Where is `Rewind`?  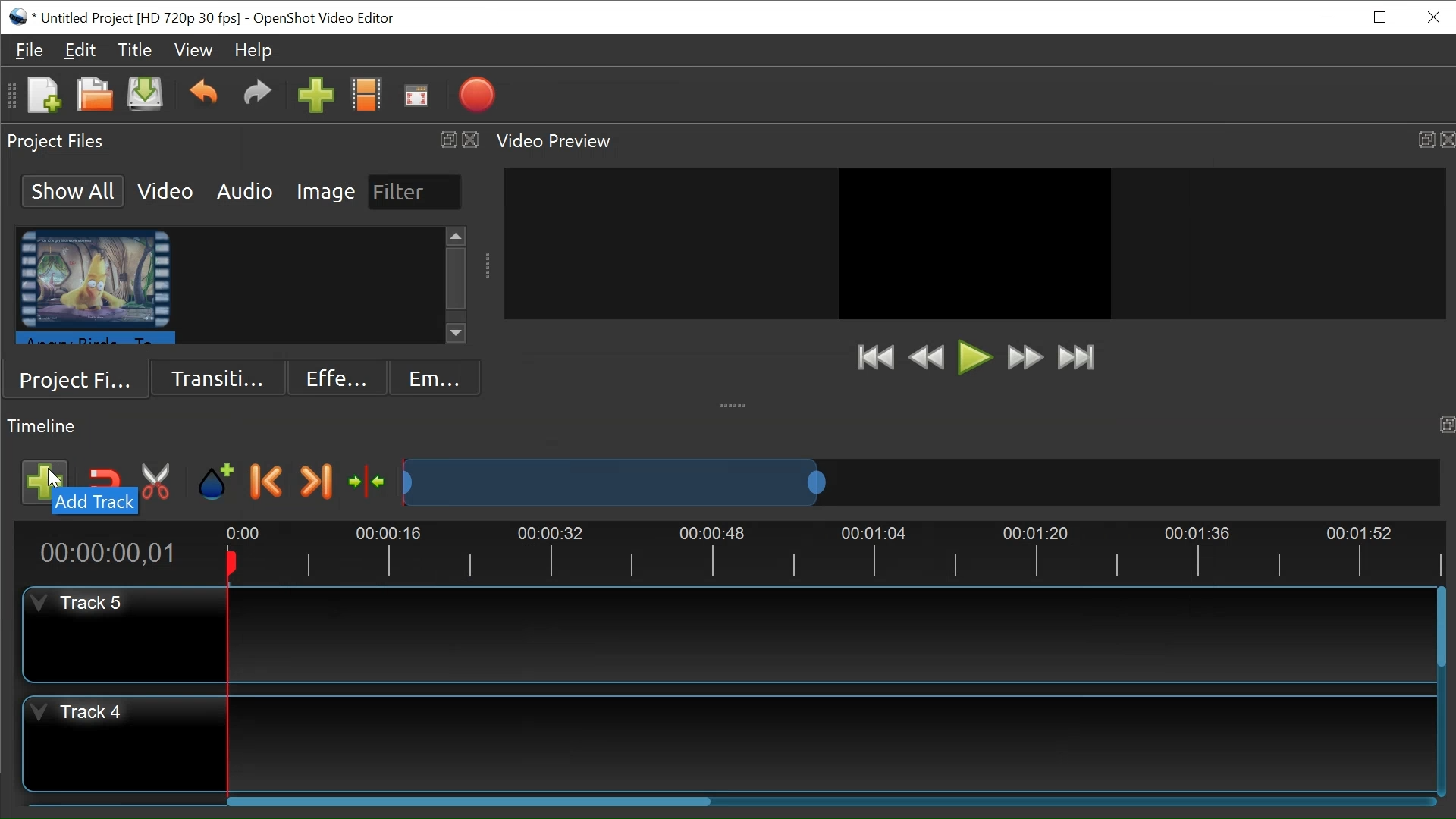 Rewind is located at coordinates (925, 358).